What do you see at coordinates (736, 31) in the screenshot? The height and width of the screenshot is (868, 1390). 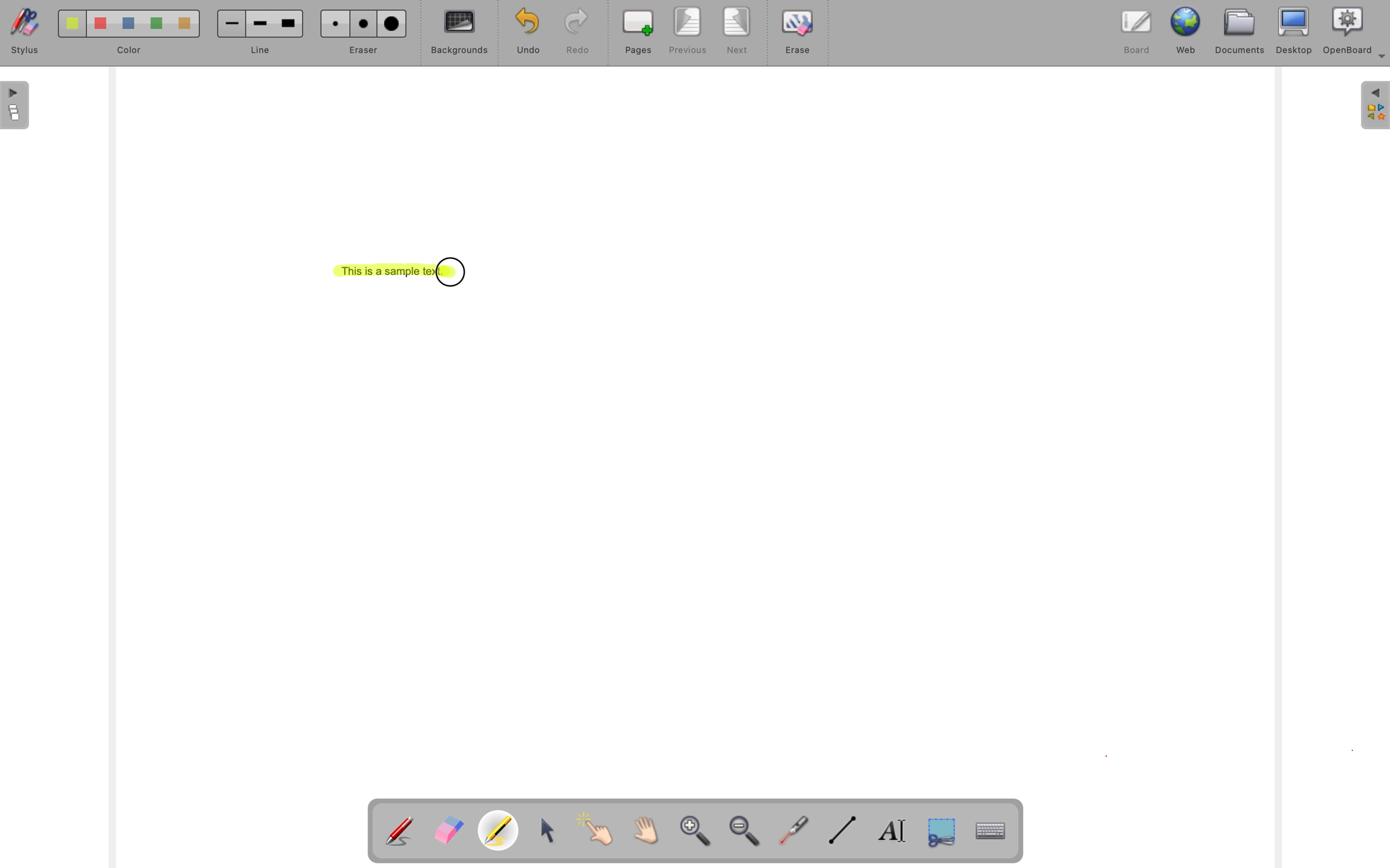 I see `next` at bounding box center [736, 31].